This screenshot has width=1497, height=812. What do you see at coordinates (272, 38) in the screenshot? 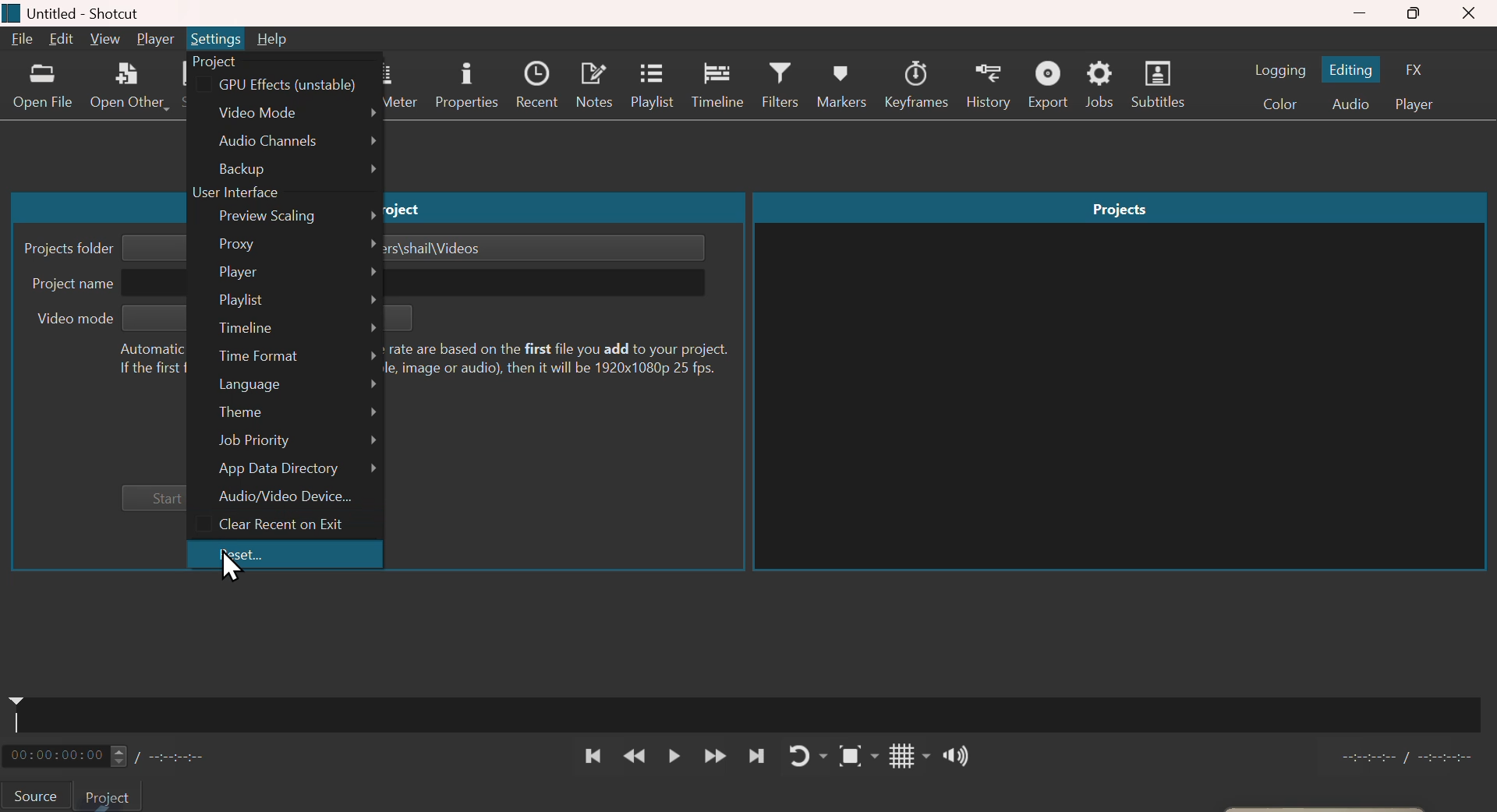
I see `Help` at bounding box center [272, 38].